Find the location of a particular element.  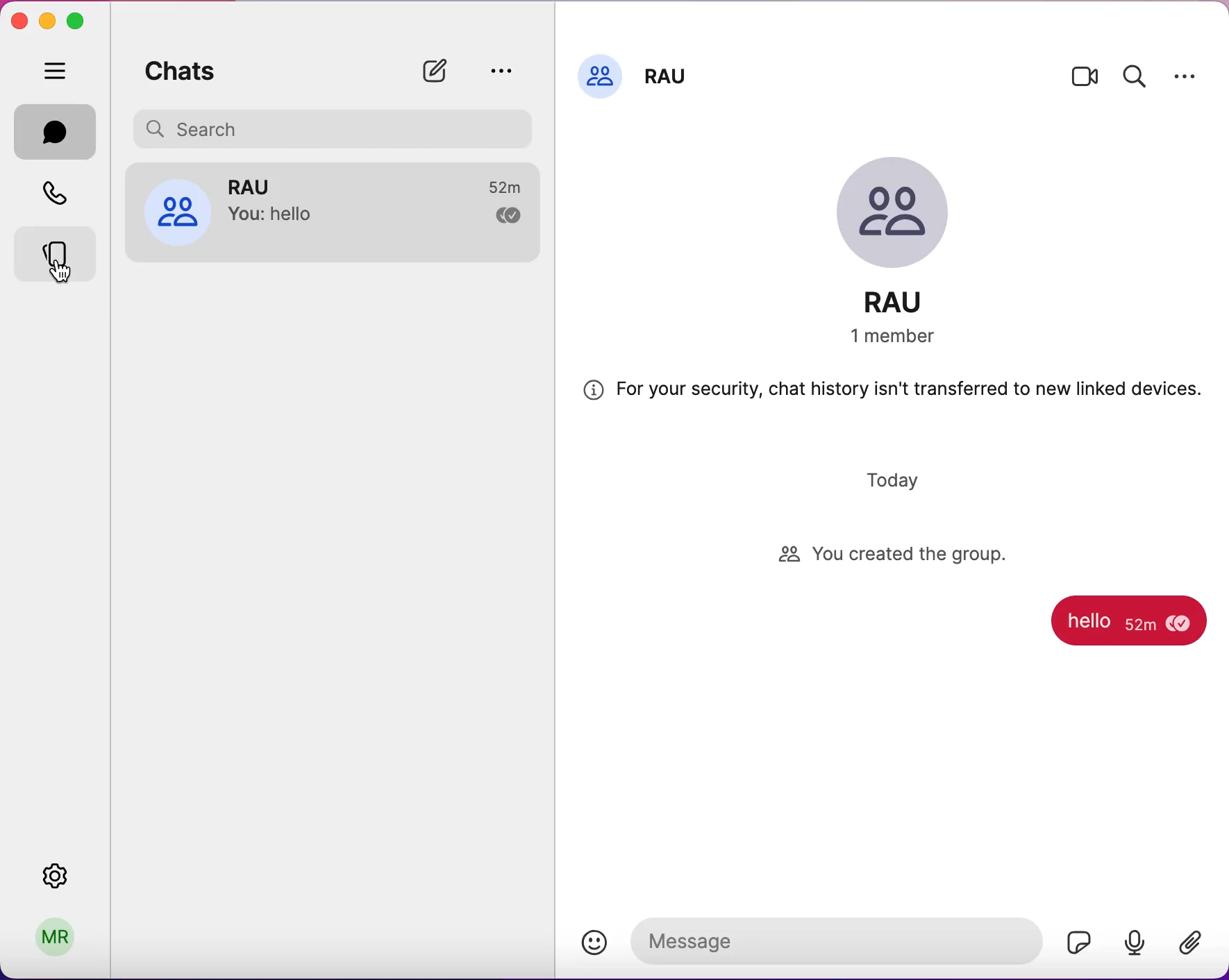

today is located at coordinates (901, 475).